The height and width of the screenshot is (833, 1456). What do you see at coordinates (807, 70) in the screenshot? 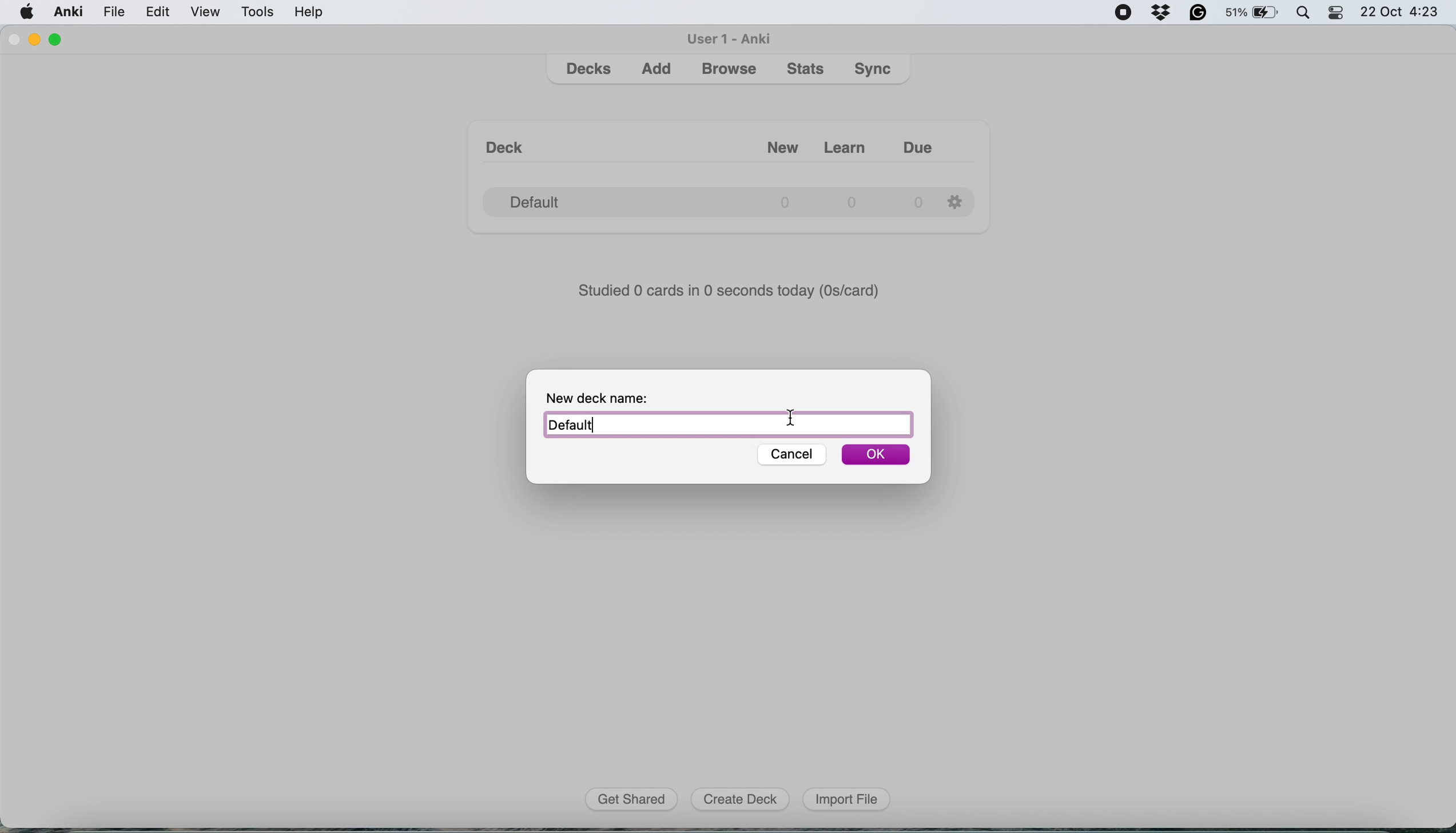
I see `stats` at bounding box center [807, 70].